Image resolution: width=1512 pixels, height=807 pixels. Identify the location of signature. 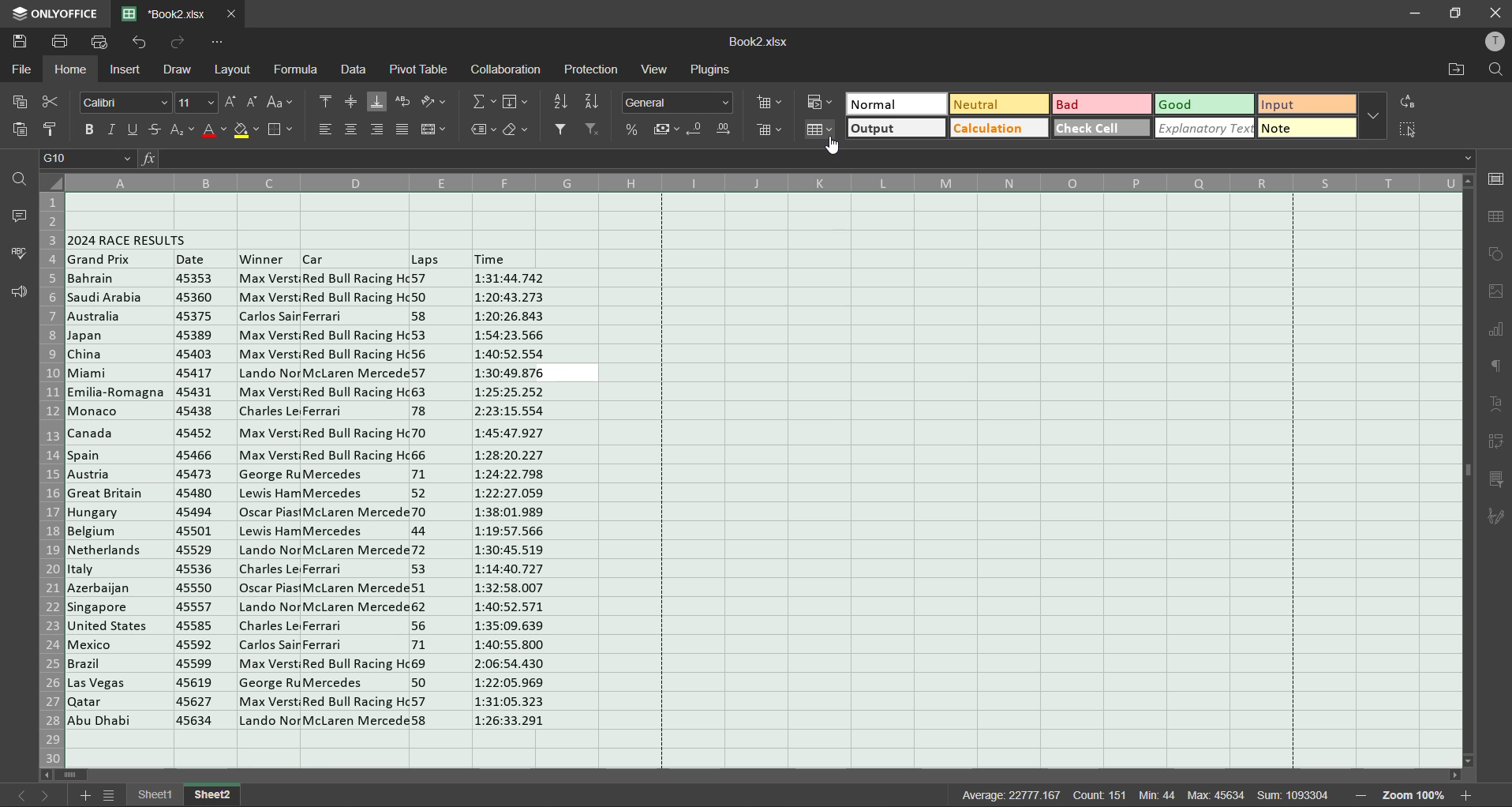
(1496, 514).